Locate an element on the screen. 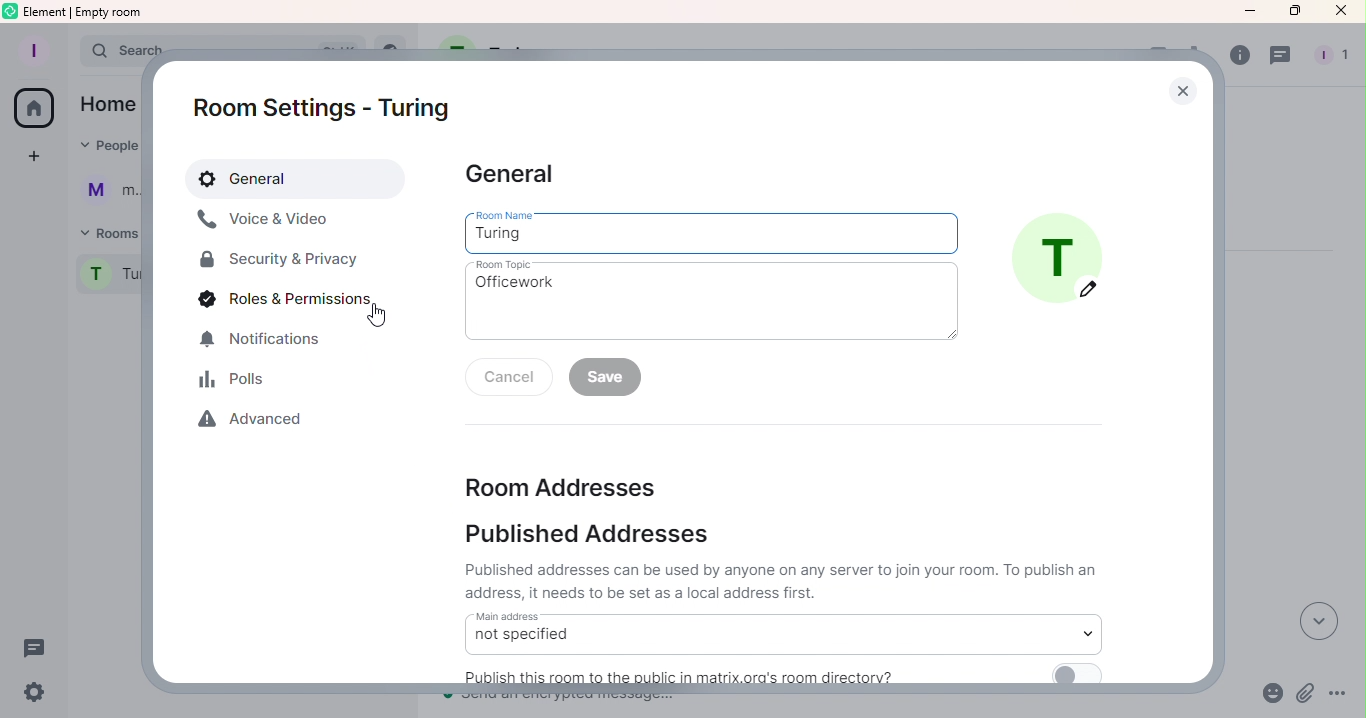  Quick settings is located at coordinates (34, 694).